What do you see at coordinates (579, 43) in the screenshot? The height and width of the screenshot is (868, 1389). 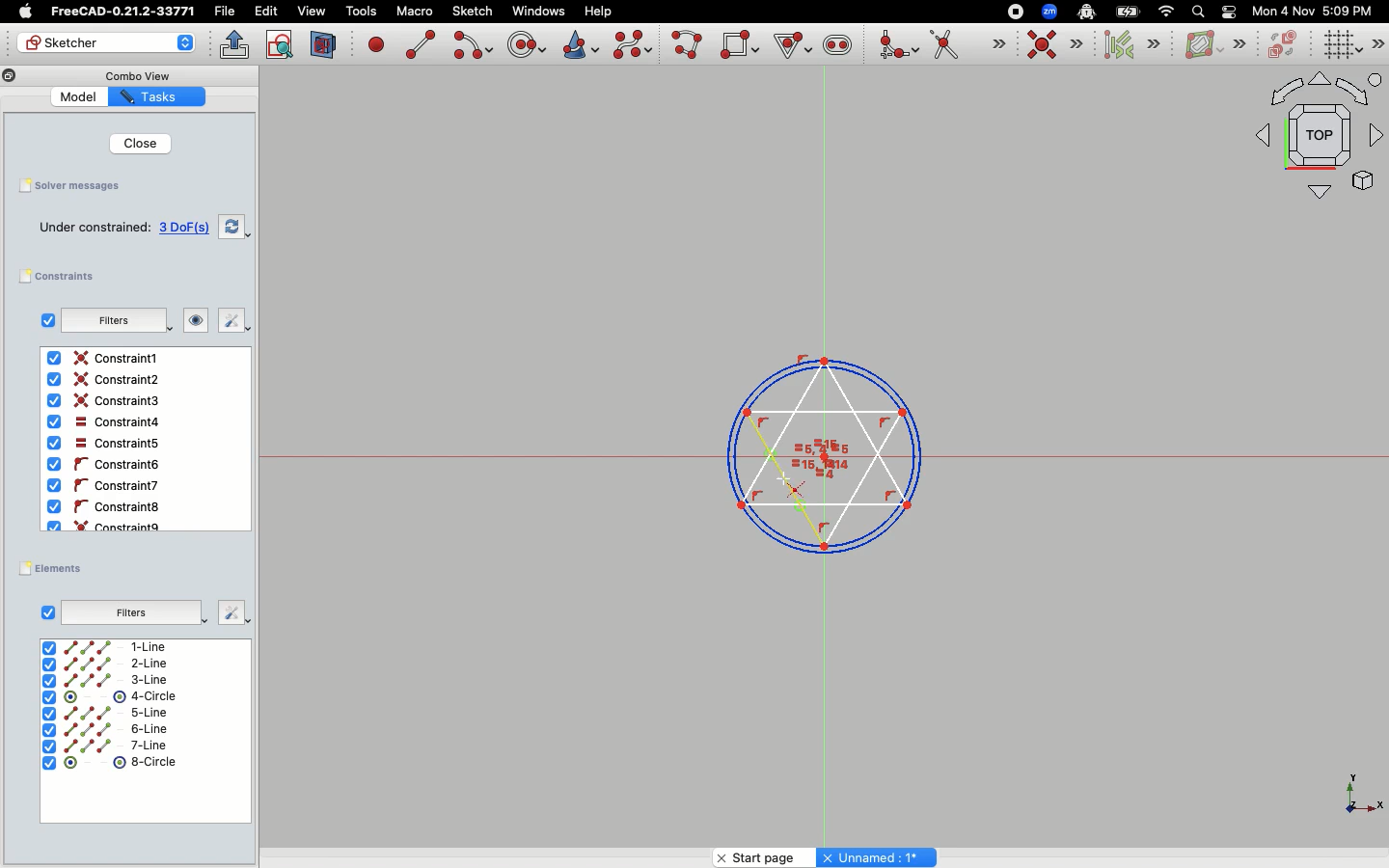 I see `Create conic` at bounding box center [579, 43].